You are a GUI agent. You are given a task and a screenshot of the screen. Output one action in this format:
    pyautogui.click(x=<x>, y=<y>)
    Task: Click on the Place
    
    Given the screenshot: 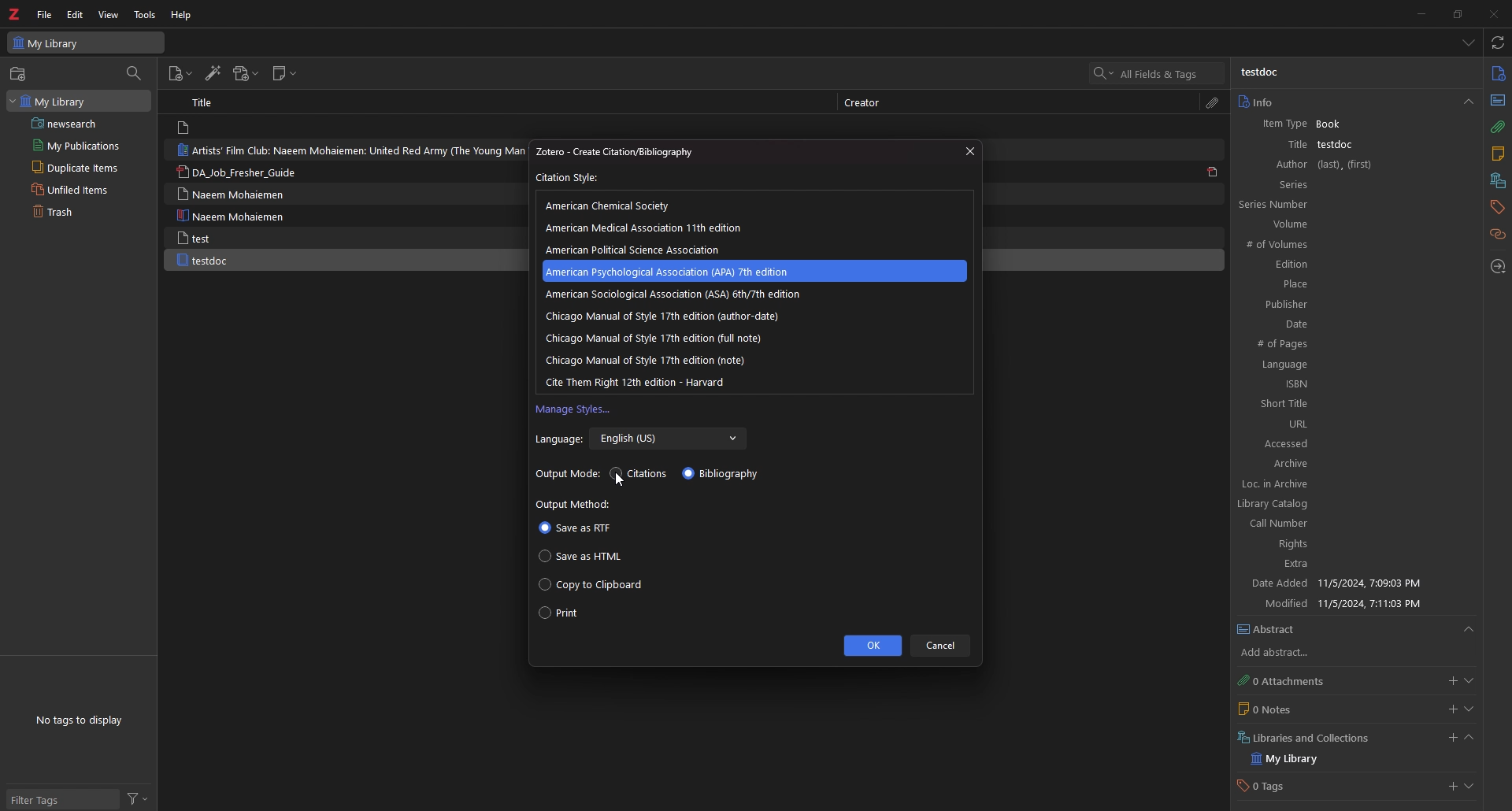 What is the action you would take?
    pyautogui.click(x=1347, y=283)
    